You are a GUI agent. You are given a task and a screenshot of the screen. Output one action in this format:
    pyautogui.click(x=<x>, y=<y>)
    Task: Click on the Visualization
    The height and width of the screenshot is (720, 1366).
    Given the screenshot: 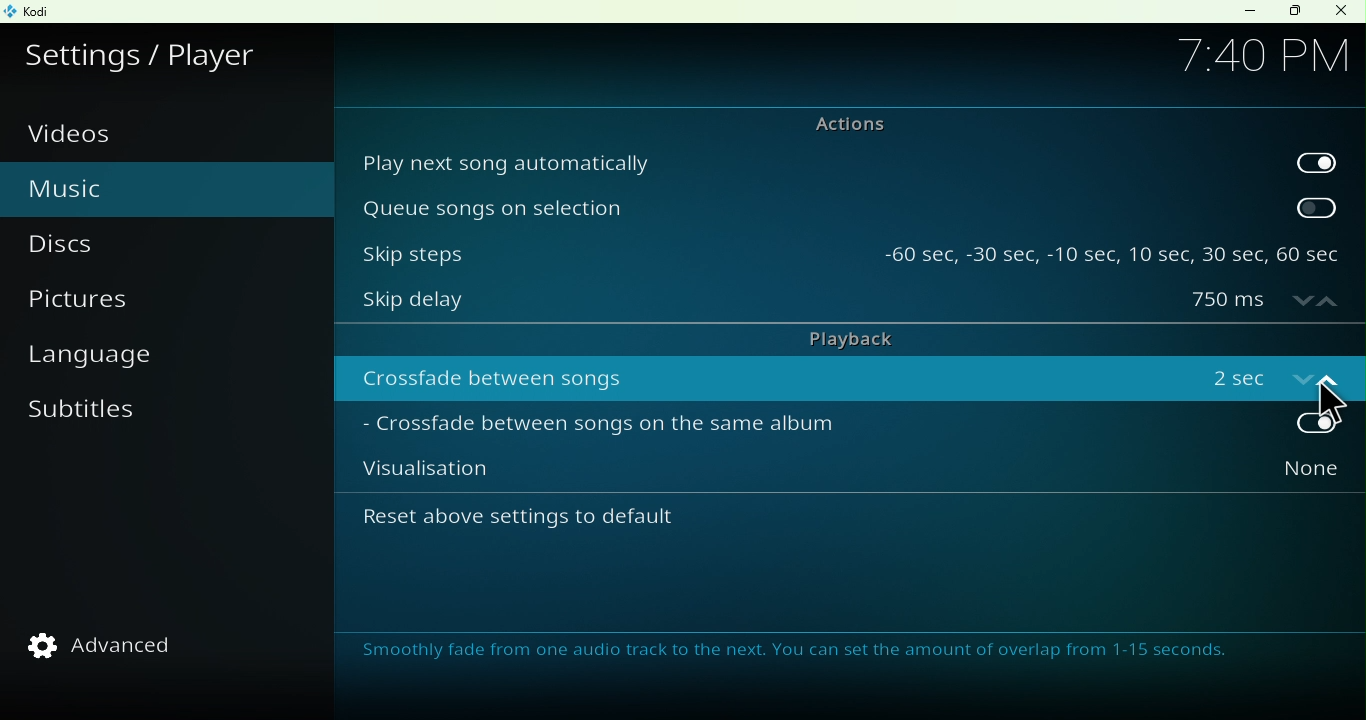 What is the action you would take?
    pyautogui.click(x=762, y=475)
    